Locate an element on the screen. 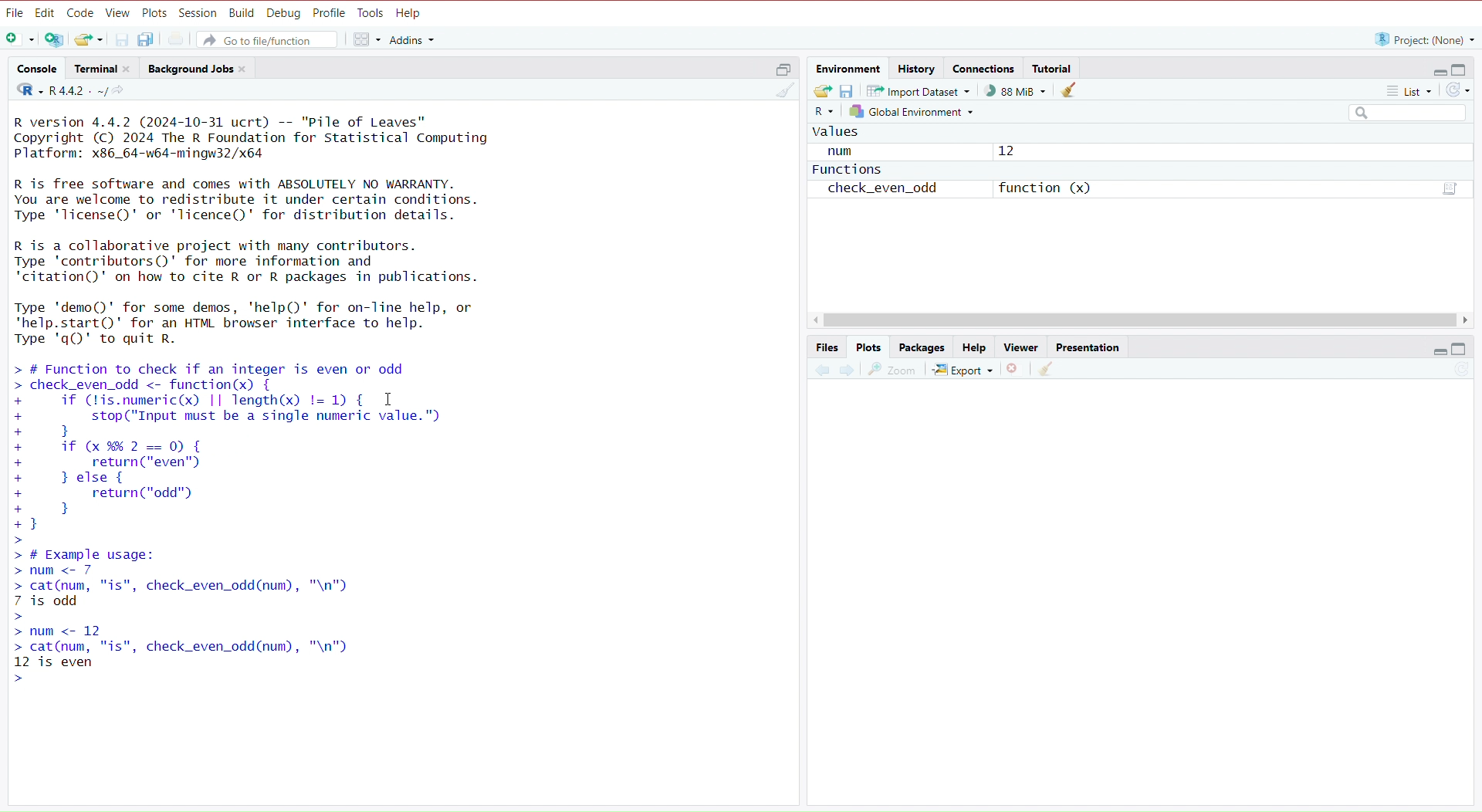 Image resolution: width=1482 pixels, height=812 pixels. edit is located at coordinates (45, 13).